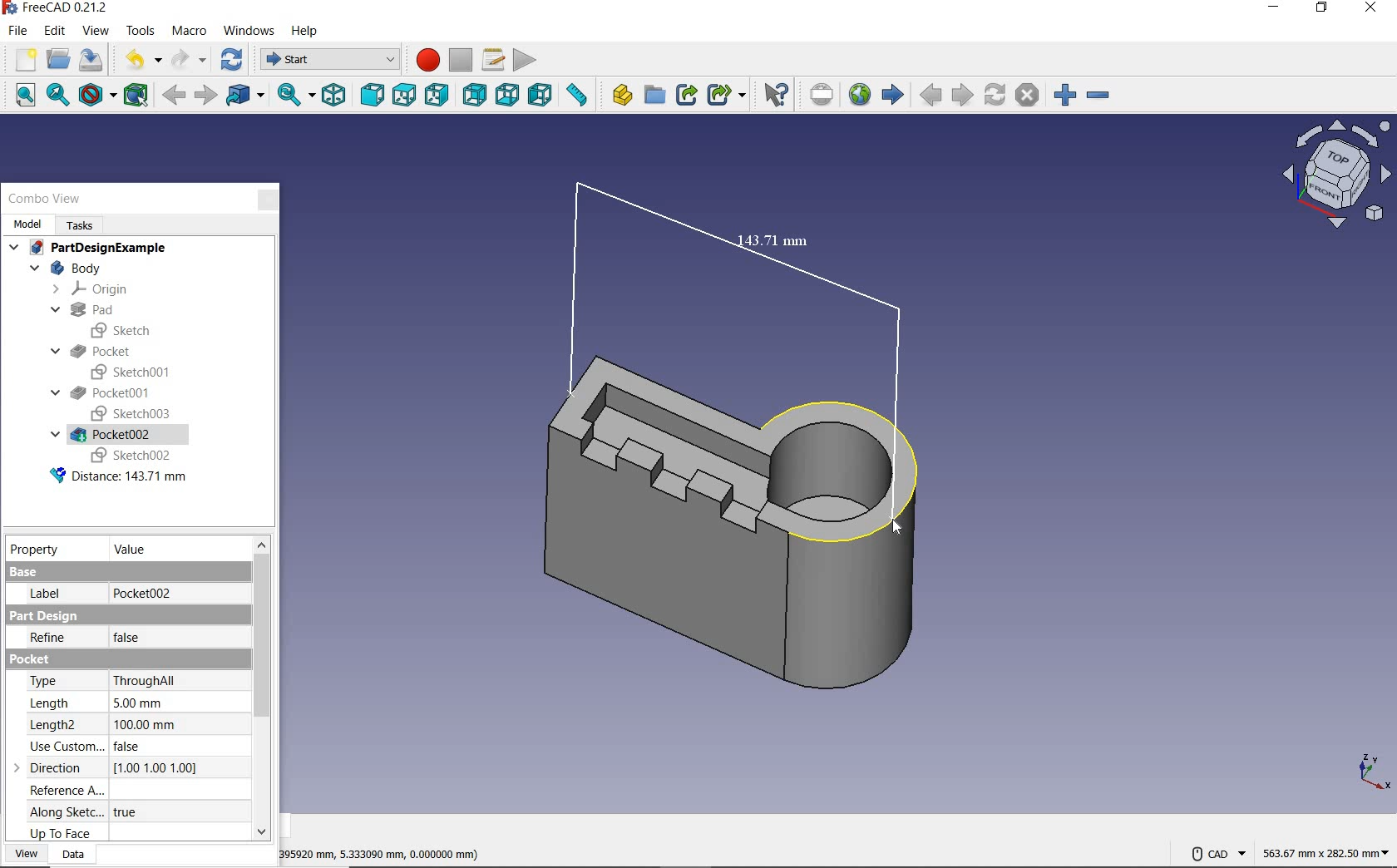 The image size is (1397, 868). Describe the element at coordinates (189, 62) in the screenshot. I see `redo` at that location.